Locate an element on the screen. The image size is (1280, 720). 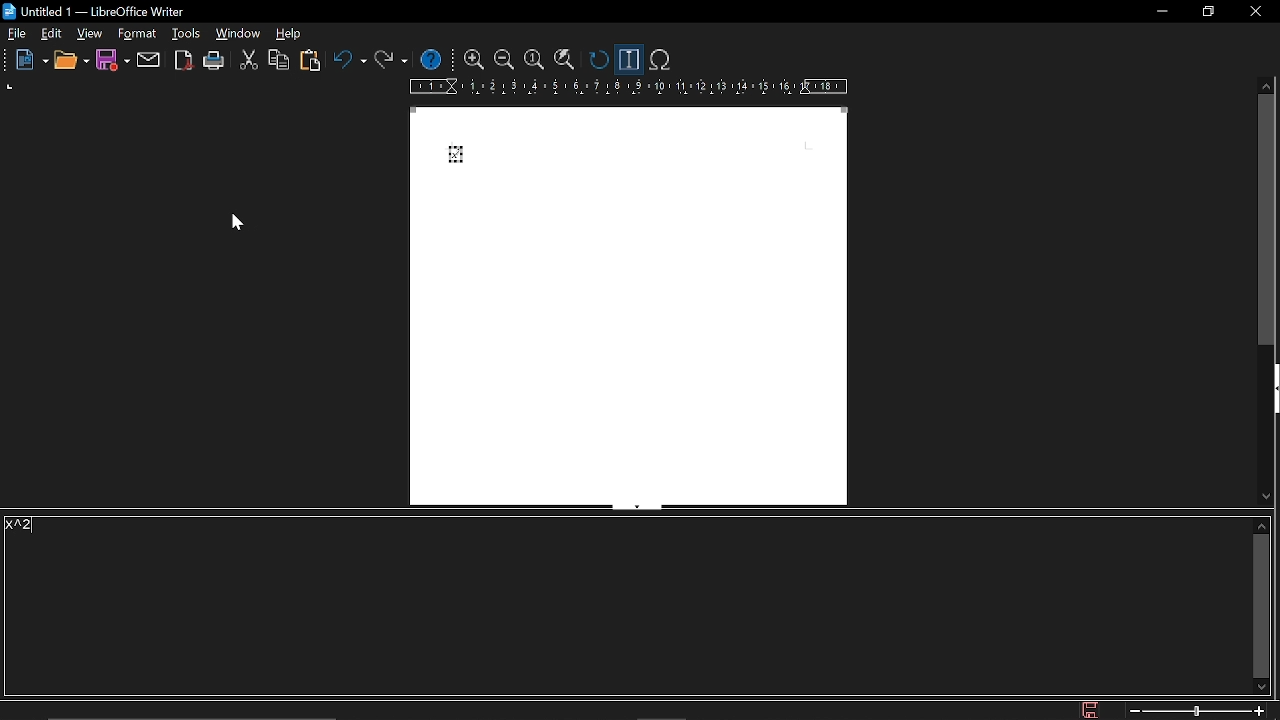
update  is located at coordinates (596, 60).